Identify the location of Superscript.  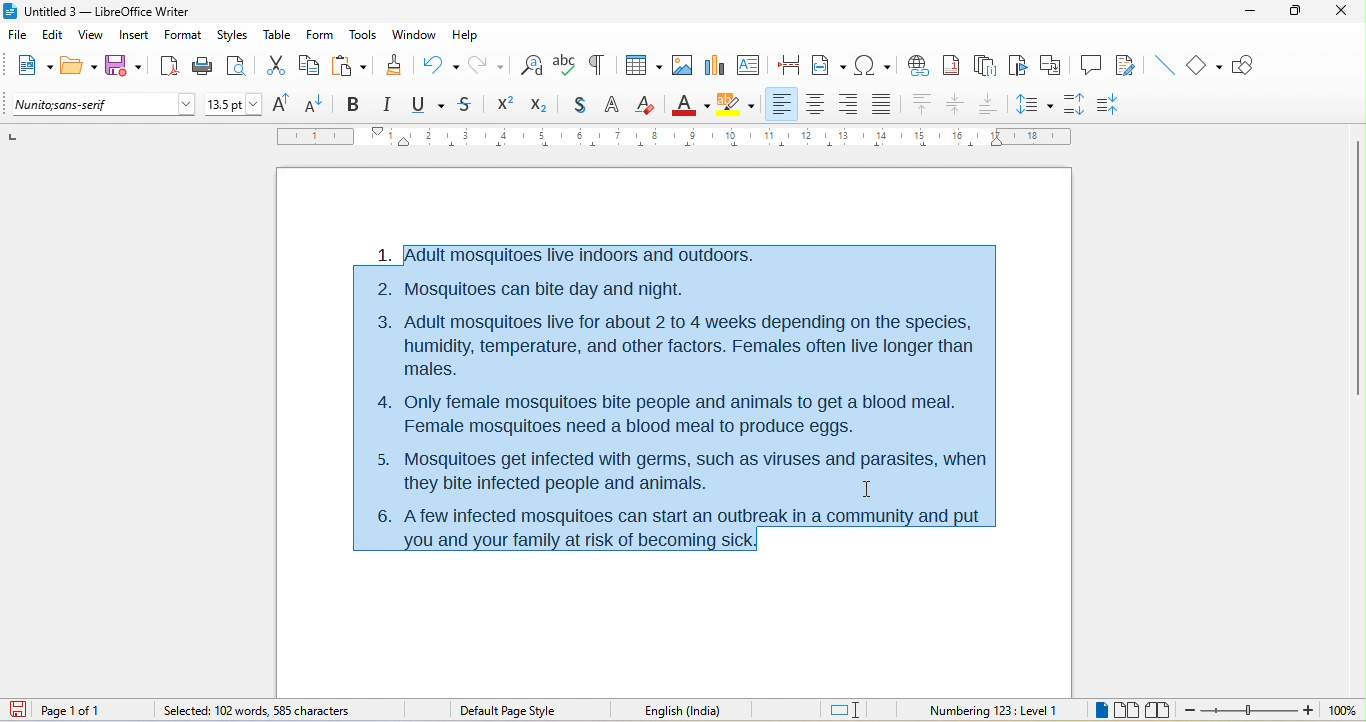
(502, 106).